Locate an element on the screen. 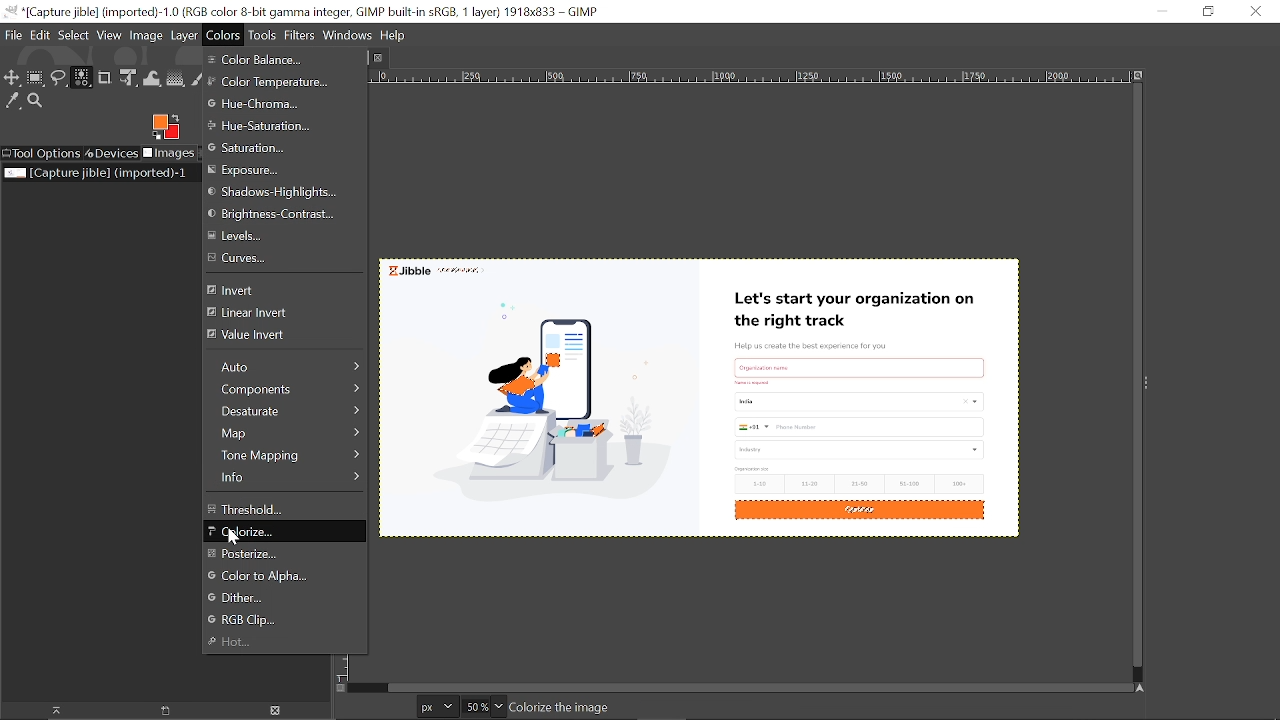 This screenshot has width=1280, height=720. RGB clip is located at coordinates (288, 620).